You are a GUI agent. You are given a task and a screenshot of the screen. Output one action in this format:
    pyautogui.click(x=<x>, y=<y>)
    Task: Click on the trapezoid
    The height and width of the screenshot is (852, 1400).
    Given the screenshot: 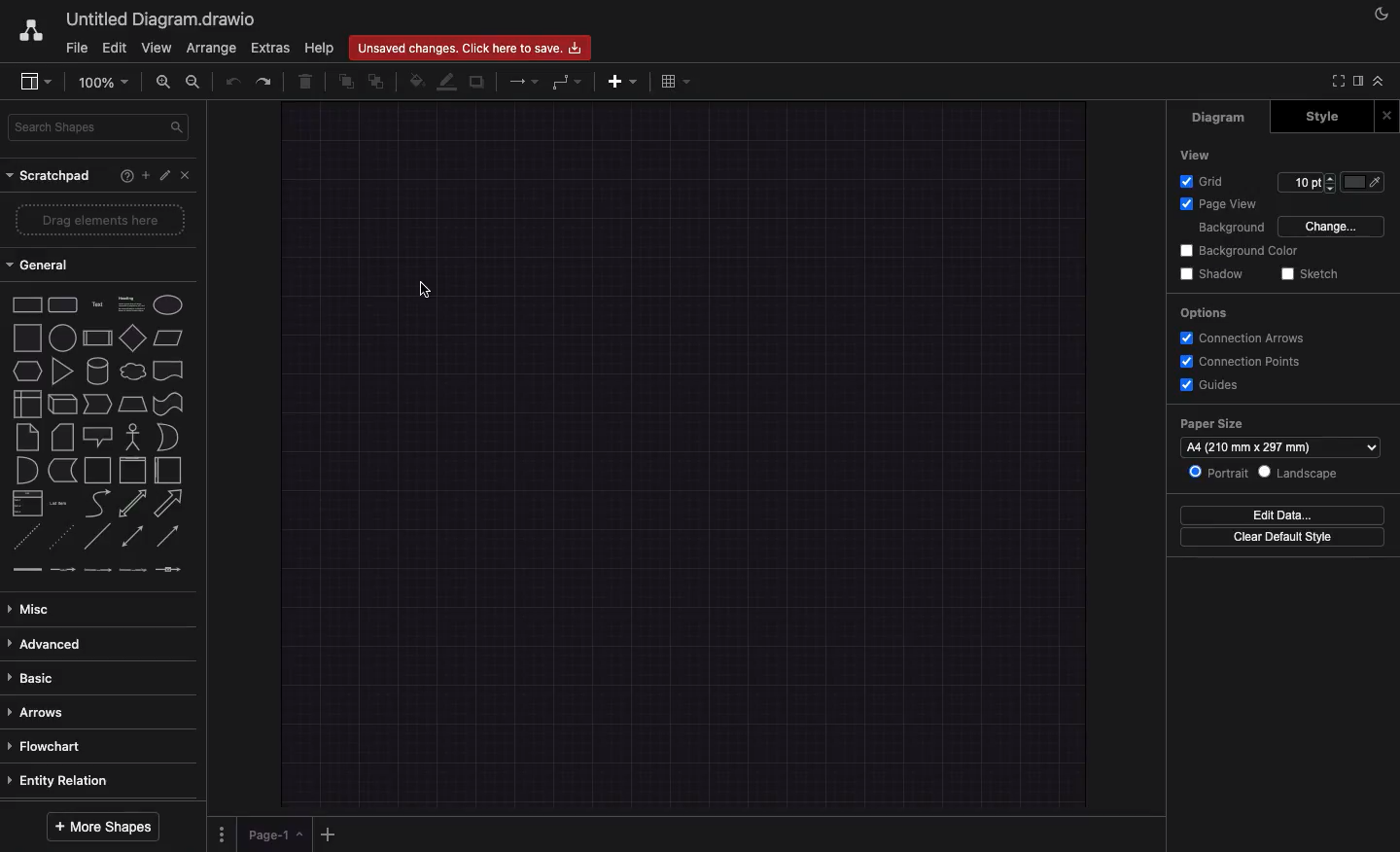 What is the action you would take?
    pyautogui.click(x=134, y=404)
    